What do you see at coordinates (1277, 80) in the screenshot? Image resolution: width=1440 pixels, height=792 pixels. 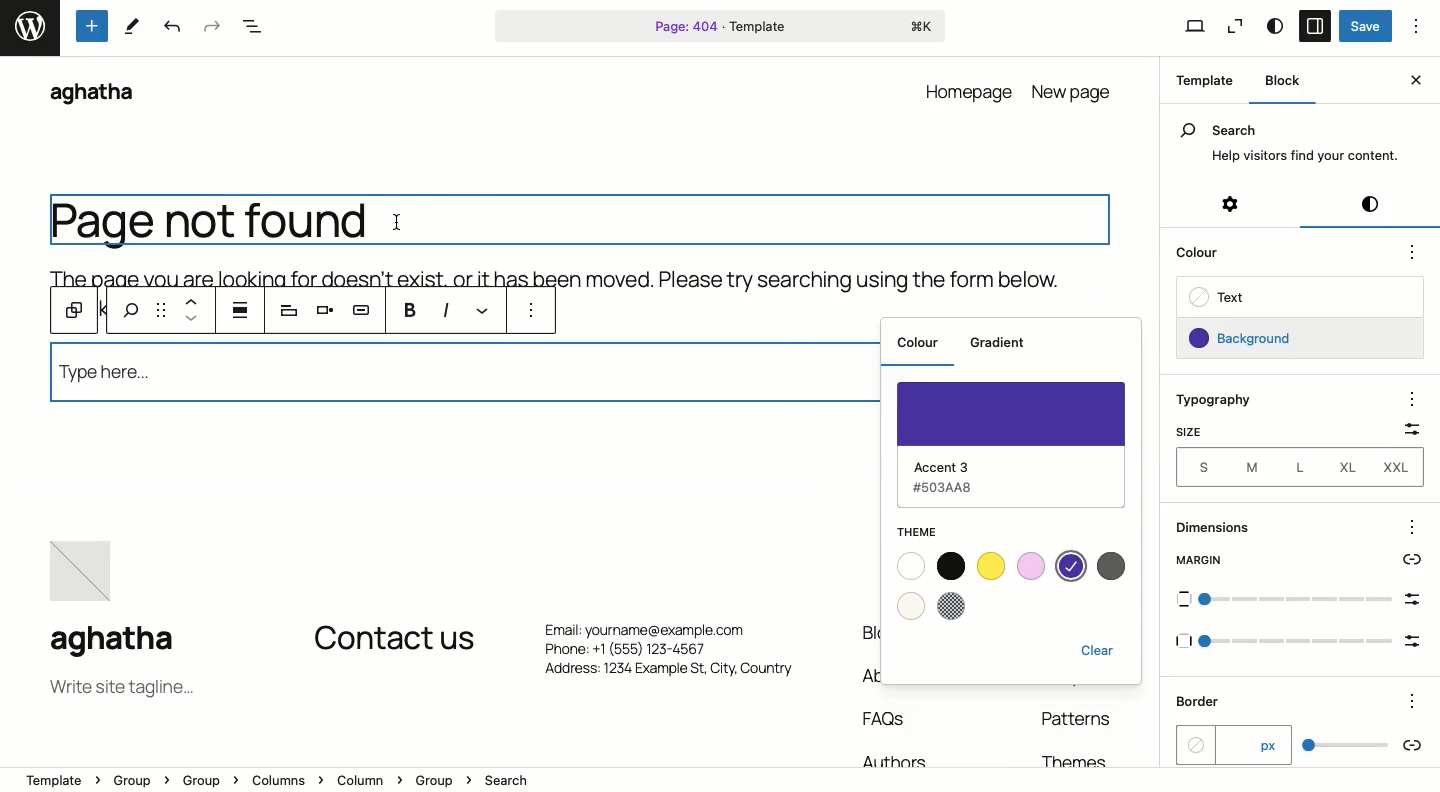 I see `Block` at bounding box center [1277, 80].